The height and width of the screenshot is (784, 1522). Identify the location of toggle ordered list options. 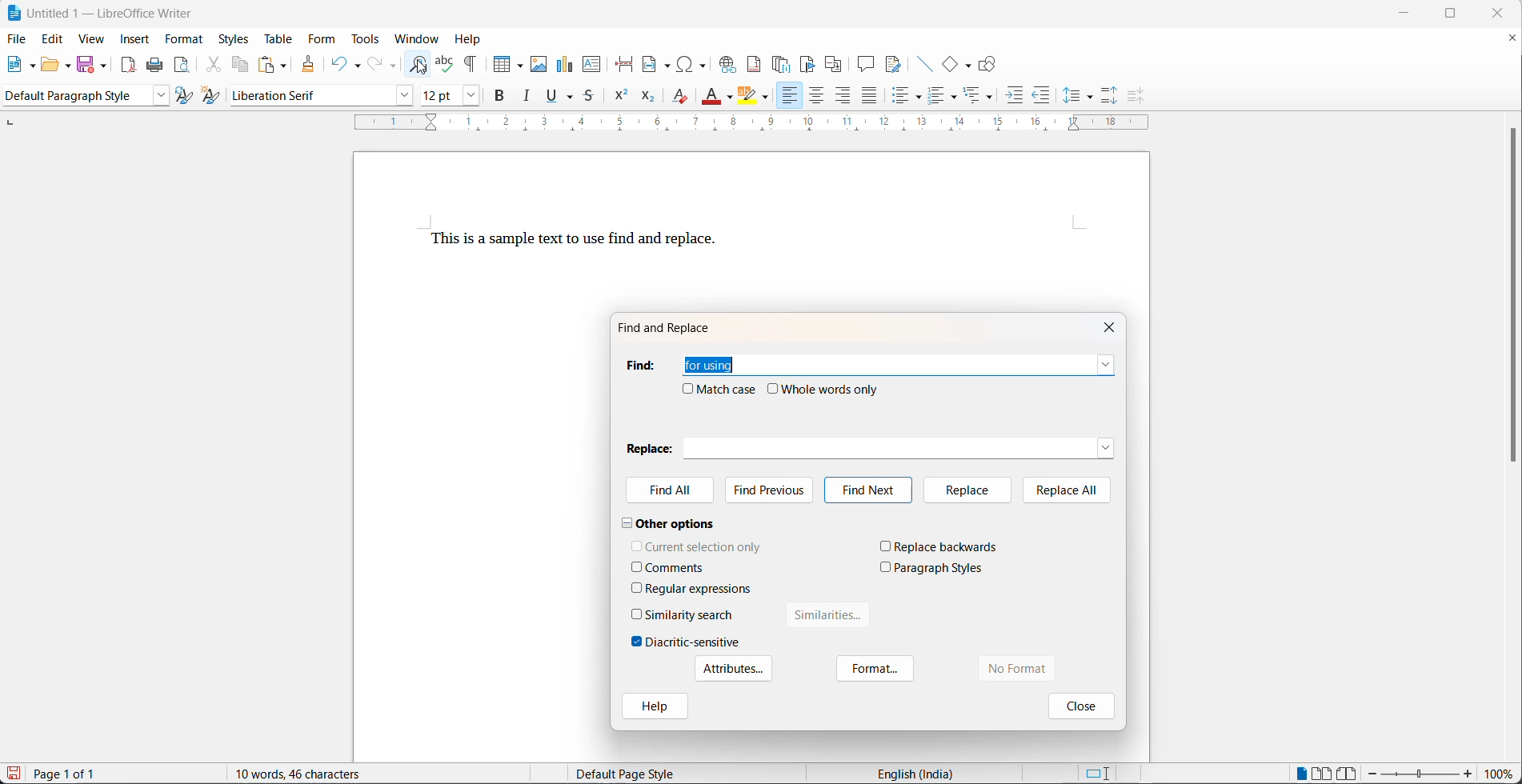
(956, 98).